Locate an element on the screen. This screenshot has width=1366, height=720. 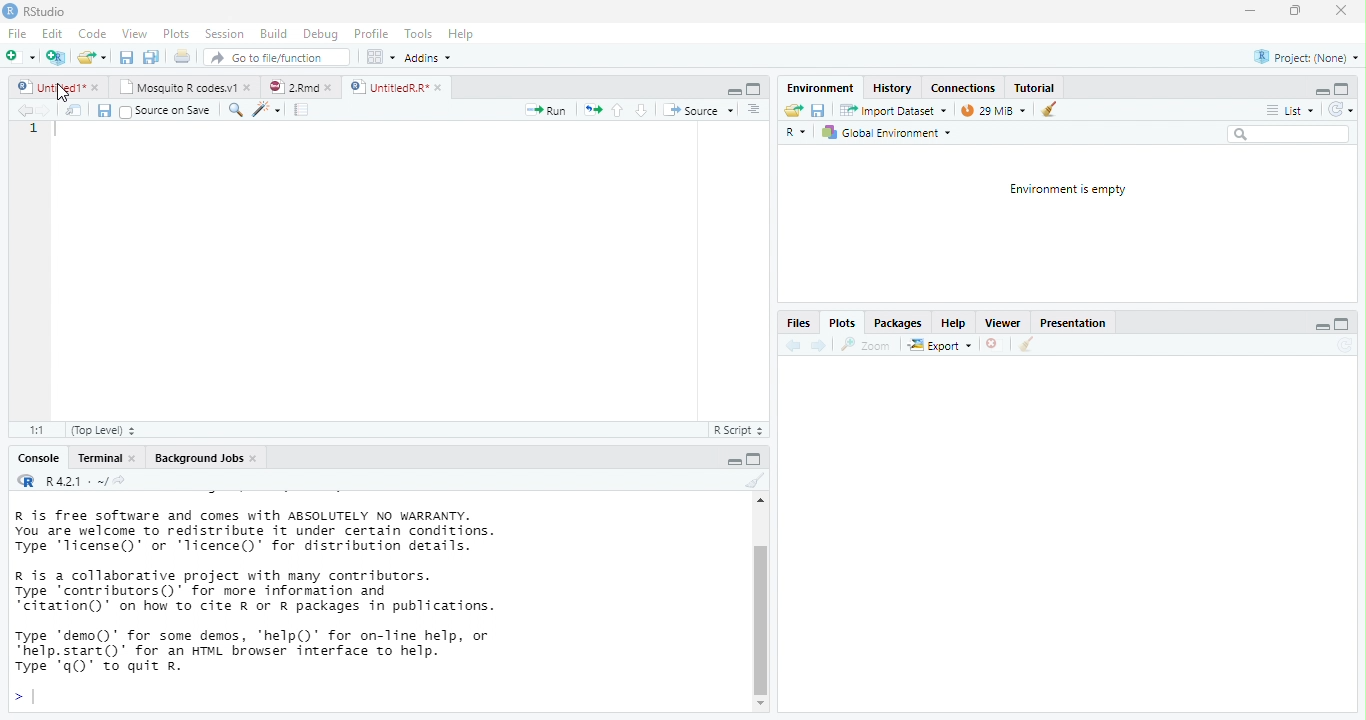
1:1 is located at coordinates (34, 431).